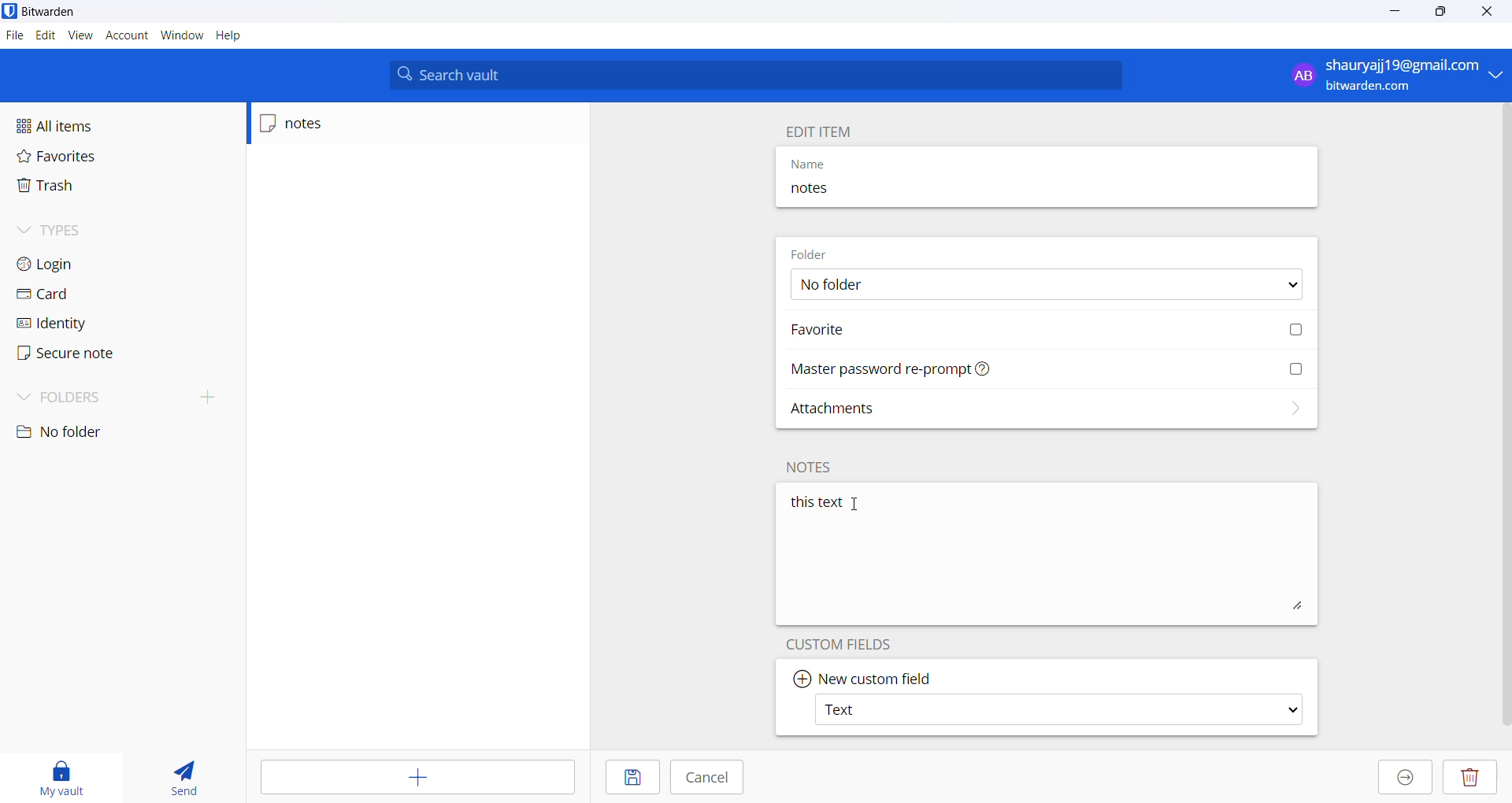 The width and height of the screenshot is (1512, 803). What do you see at coordinates (69, 187) in the screenshot?
I see `trash` at bounding box center [69, 187].